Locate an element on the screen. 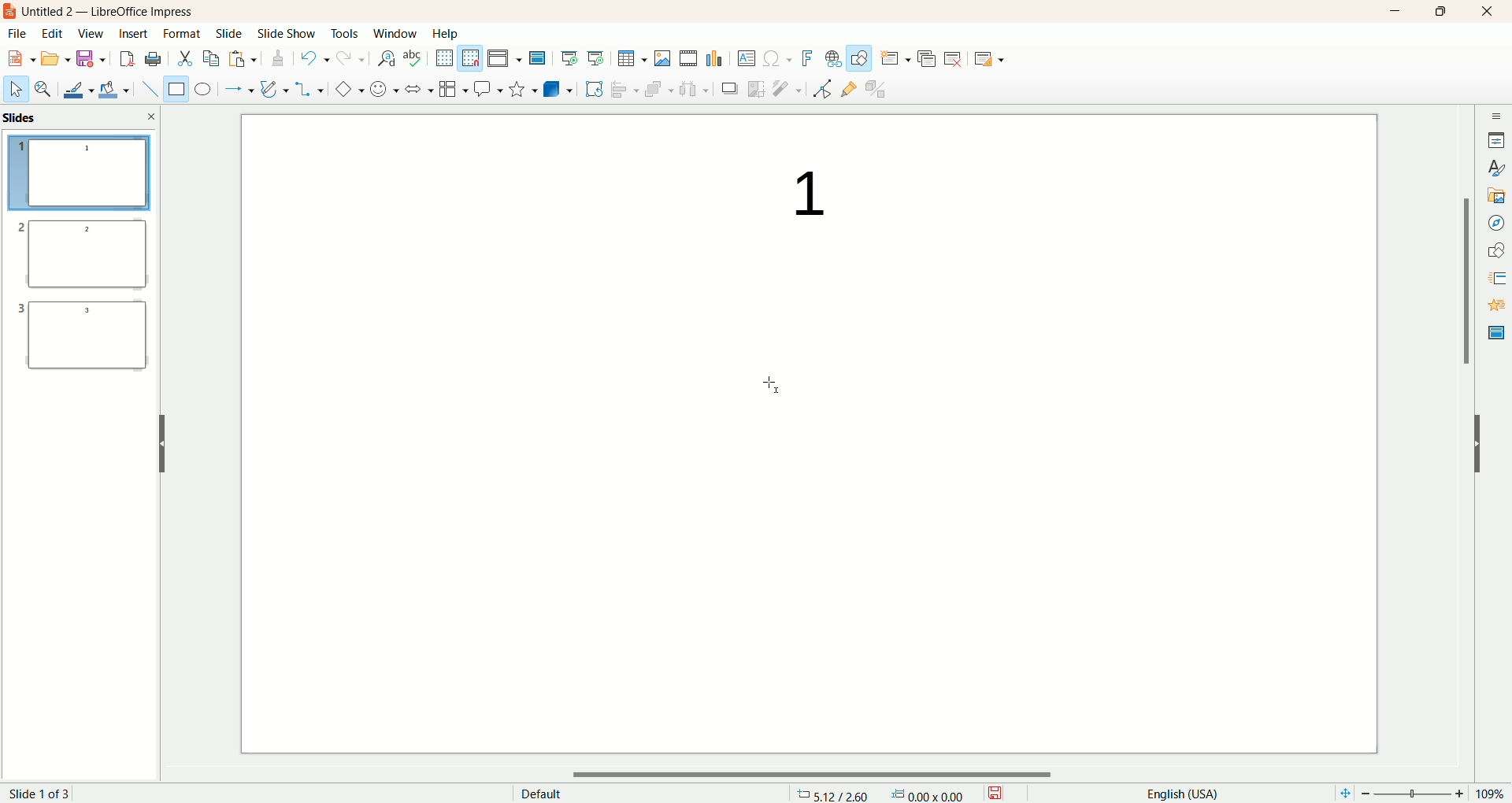  hyperlink is located at coordinates (830, 59).